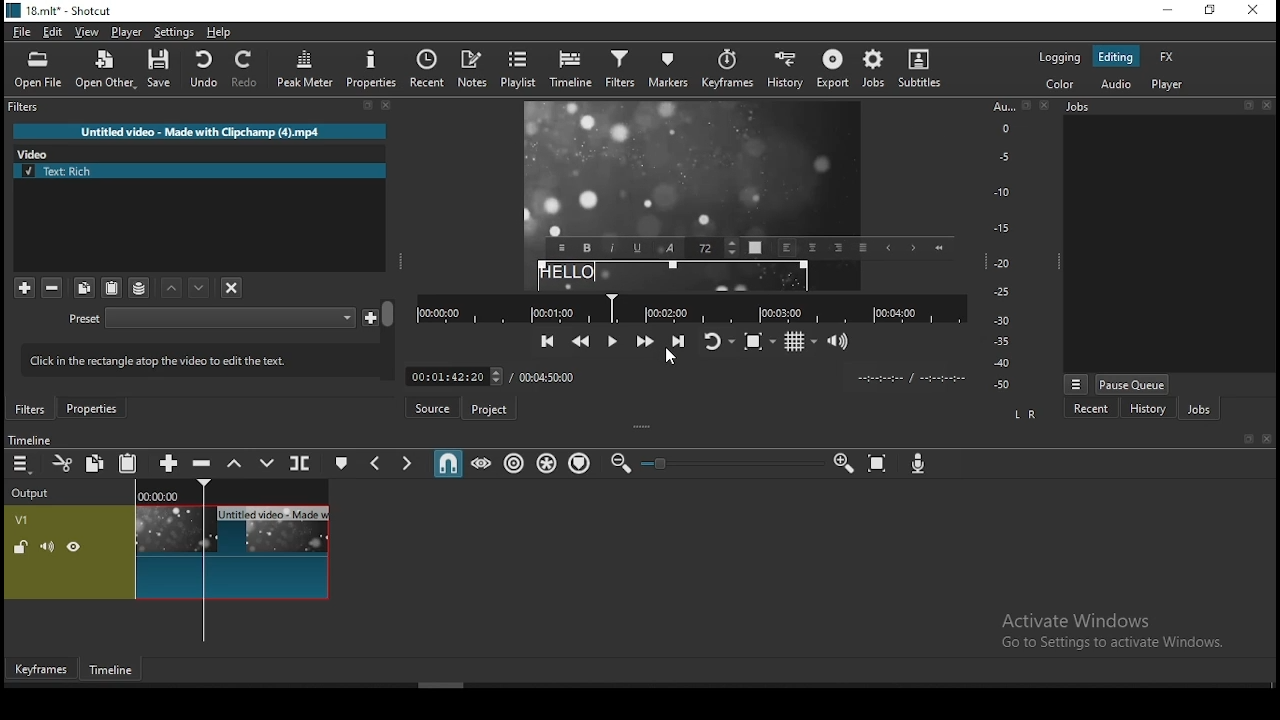 This screenshot has width=1280, height=720. Describe the element at coordinates (85, 320) in the screenshot. I see `Preset` at that location.